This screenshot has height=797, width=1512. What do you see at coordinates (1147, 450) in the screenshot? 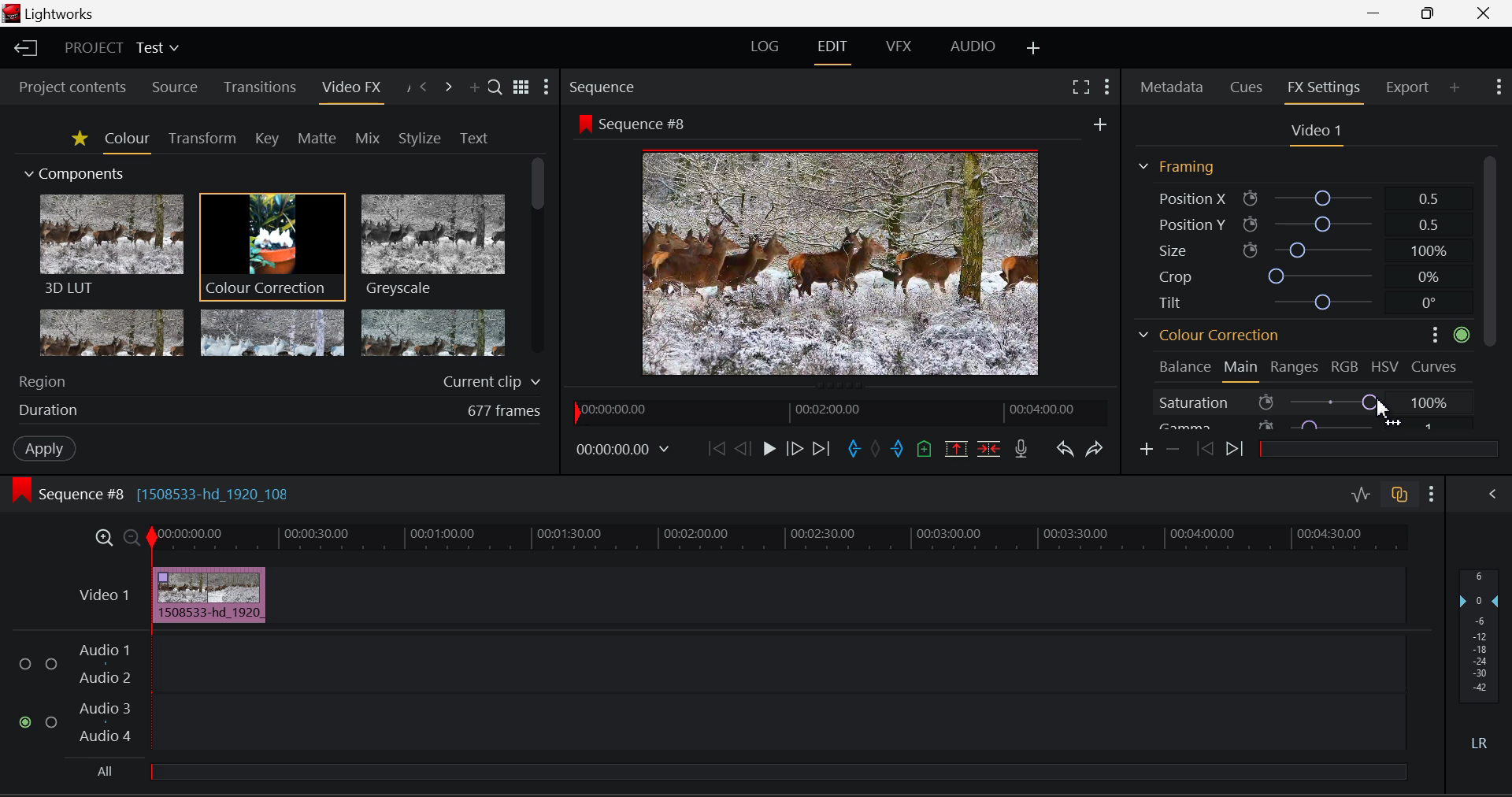
I see `Add keyframe` at bounding box center [1147, 450].